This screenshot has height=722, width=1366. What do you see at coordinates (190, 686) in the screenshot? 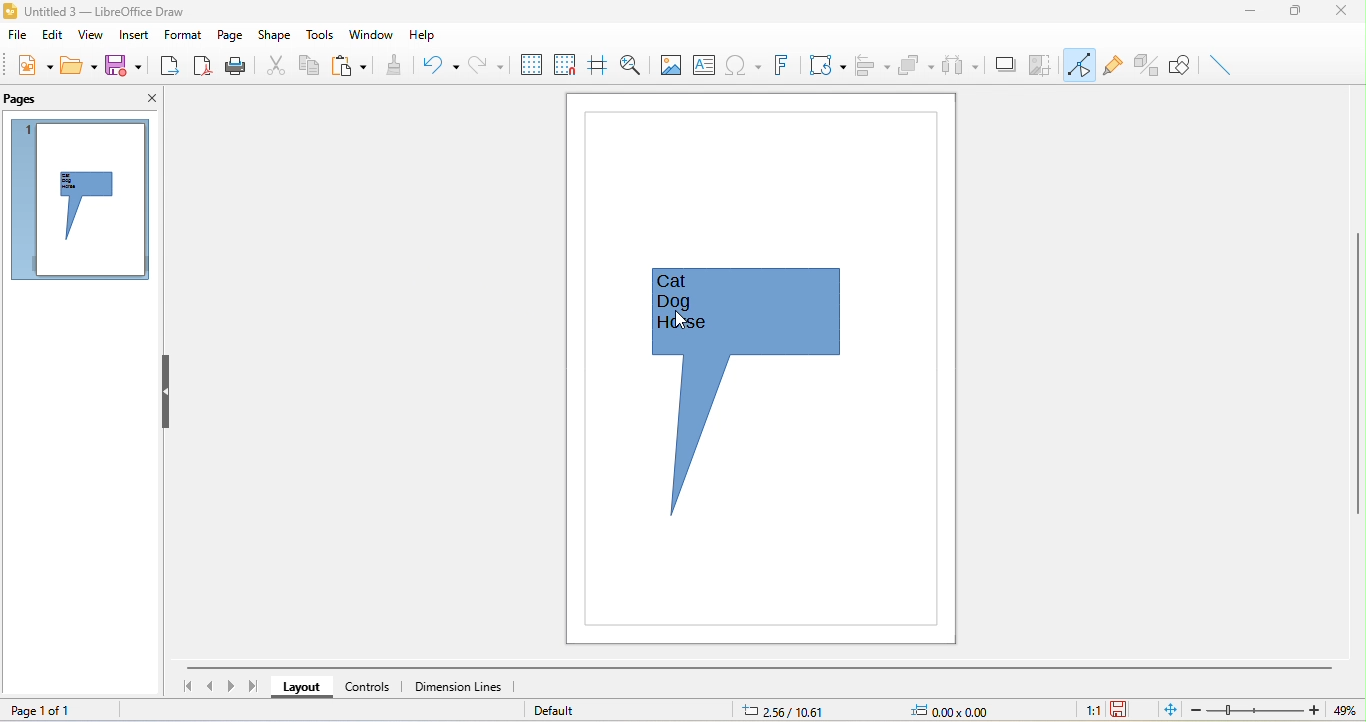
I see `first page` at bounding box center [190, 686].